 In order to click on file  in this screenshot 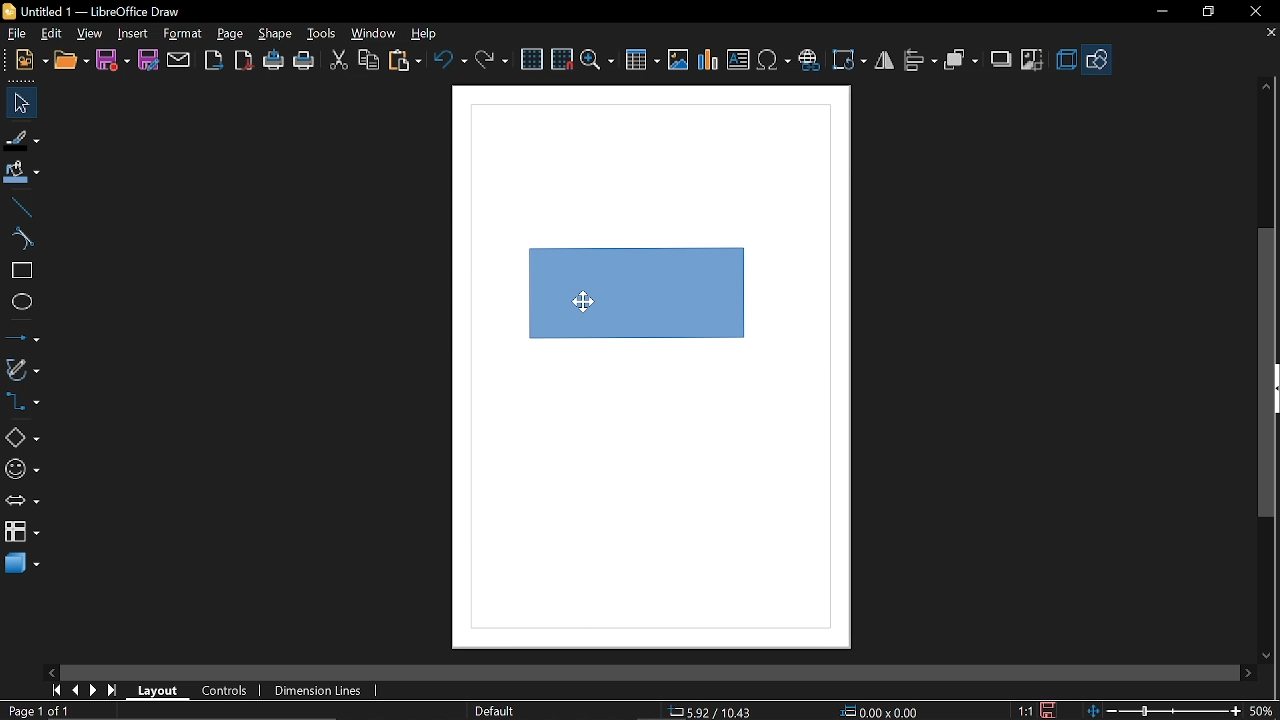, I will do `click(15, 34)`.